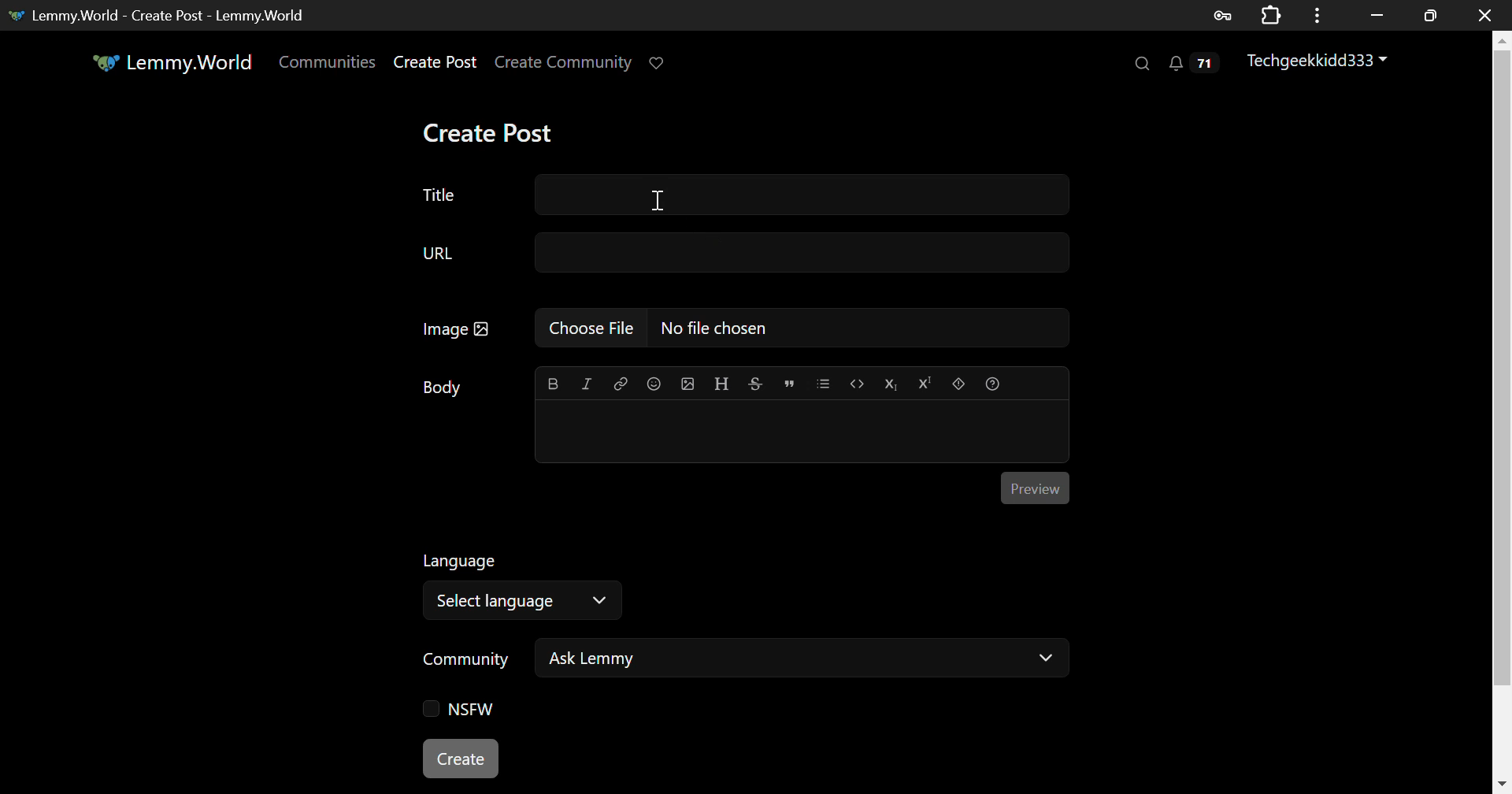  I want to click on Italic, so click(586, 385).